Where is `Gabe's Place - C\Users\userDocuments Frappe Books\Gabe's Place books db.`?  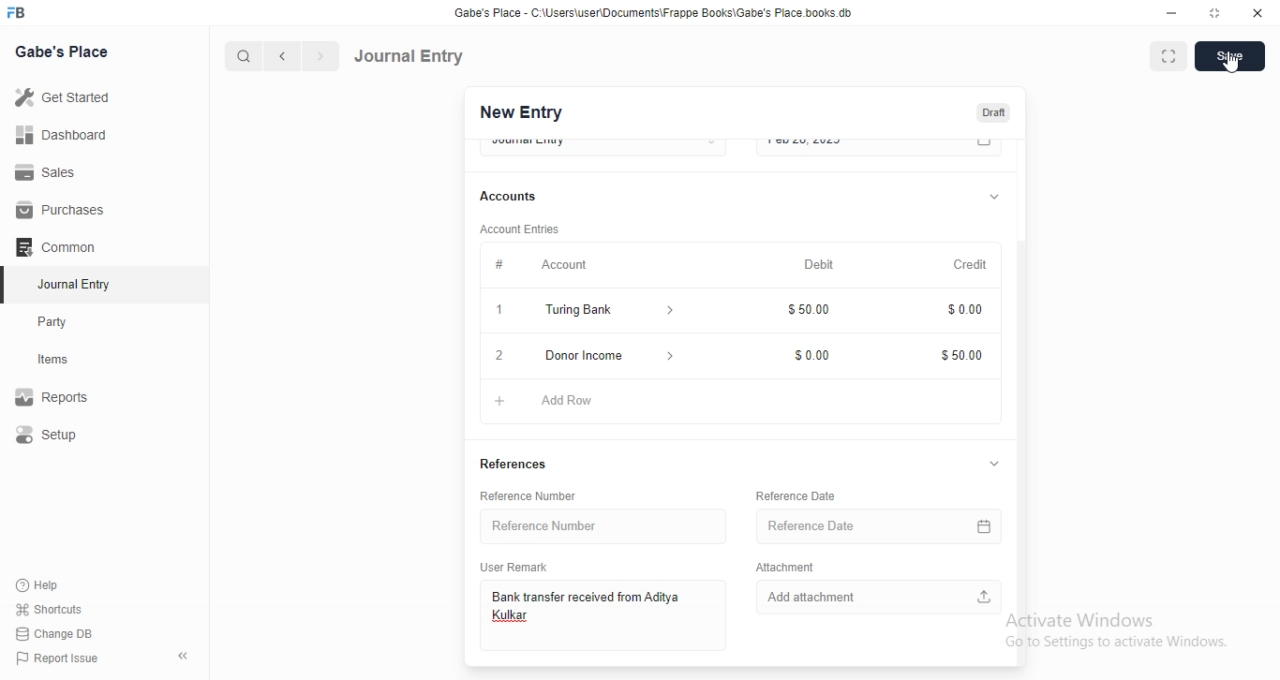
Gabe's Place - C\Users\userDocuments Frappe Books\Gabe's Place books db. is located at coordinates (654, 13).